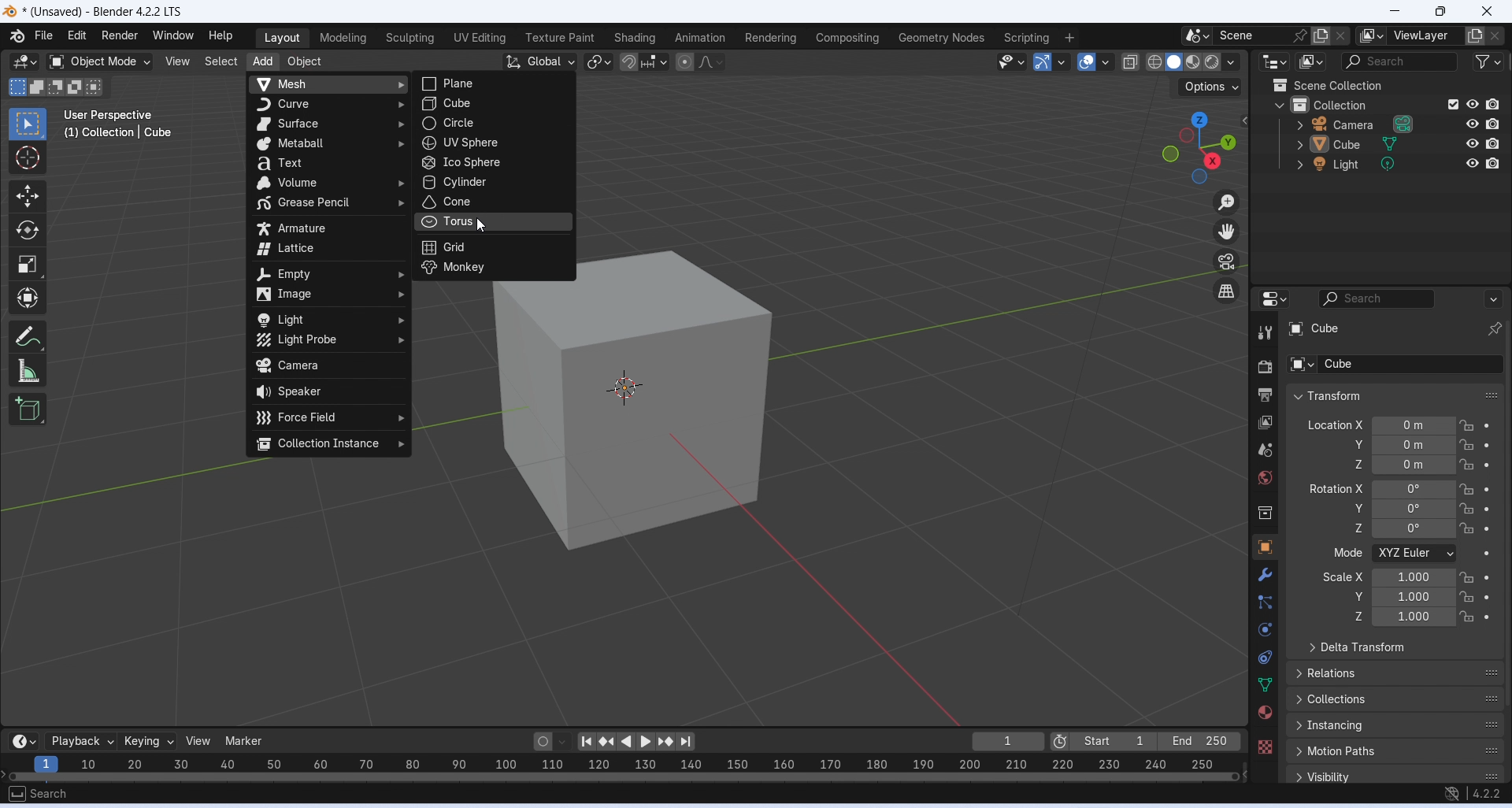 The image size is (1512, 808). I want to click on Jump to keyframe, so click(668, 742).